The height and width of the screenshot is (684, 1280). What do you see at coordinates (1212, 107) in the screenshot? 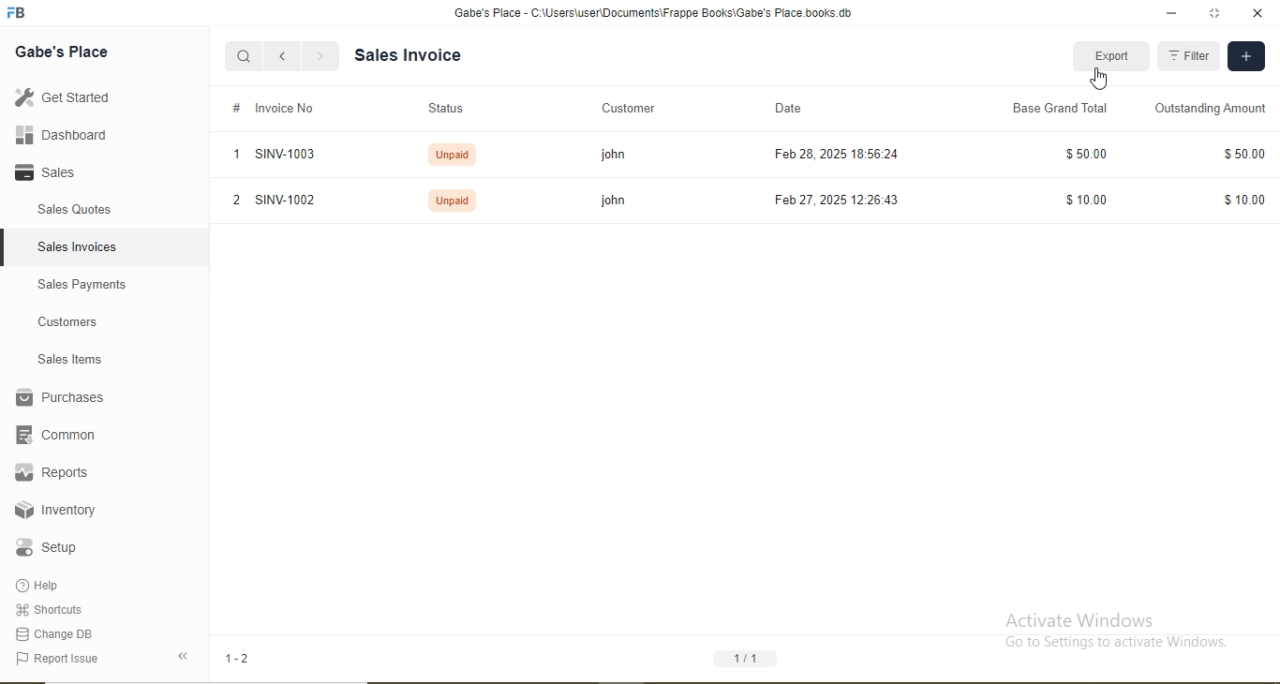
I see `‘Outstanding Amount` at bounding box center [1212, 107].